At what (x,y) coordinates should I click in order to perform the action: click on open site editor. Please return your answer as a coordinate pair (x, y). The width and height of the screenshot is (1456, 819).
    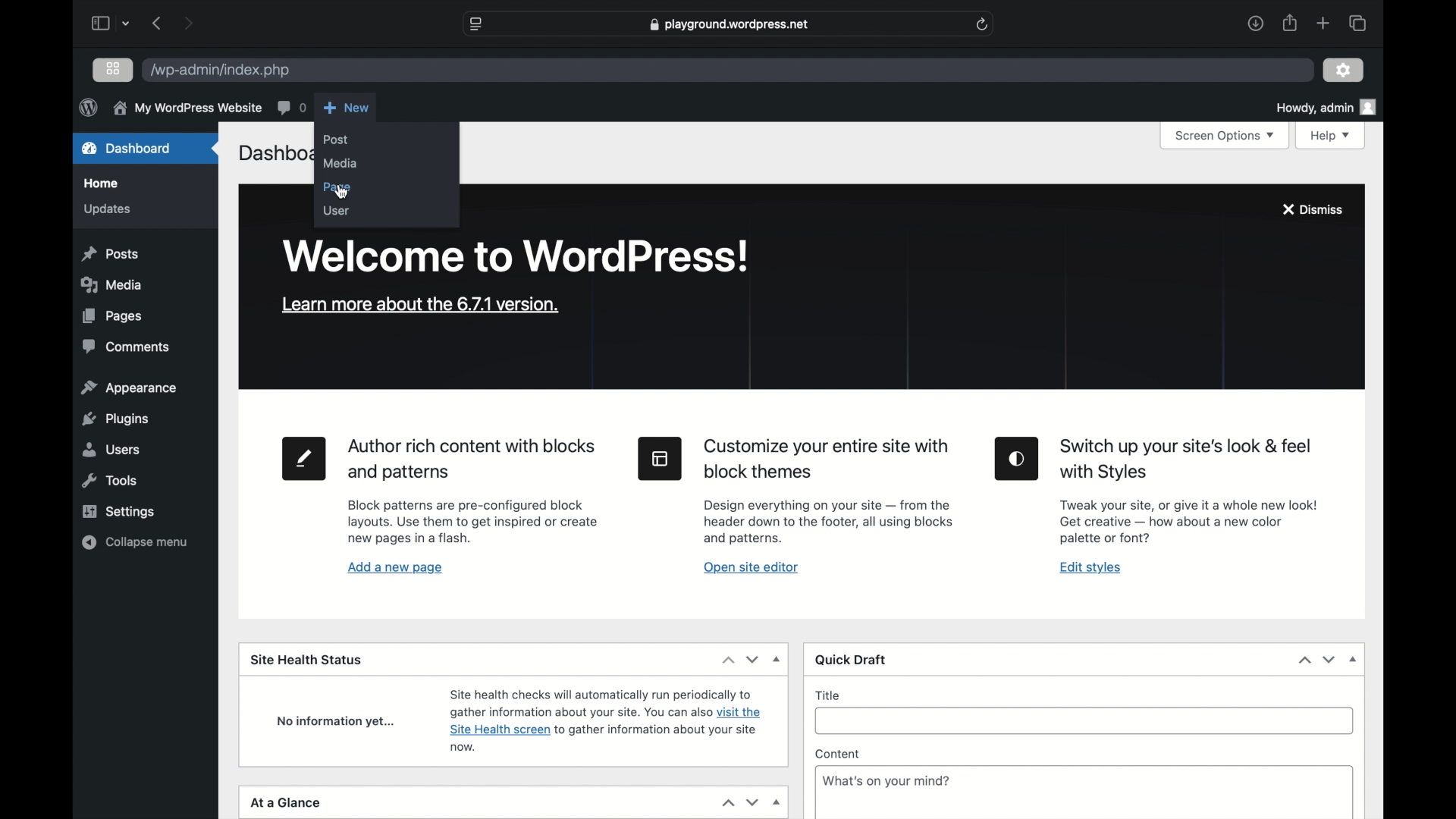
    Looking at the image, I should click on (750, 566).